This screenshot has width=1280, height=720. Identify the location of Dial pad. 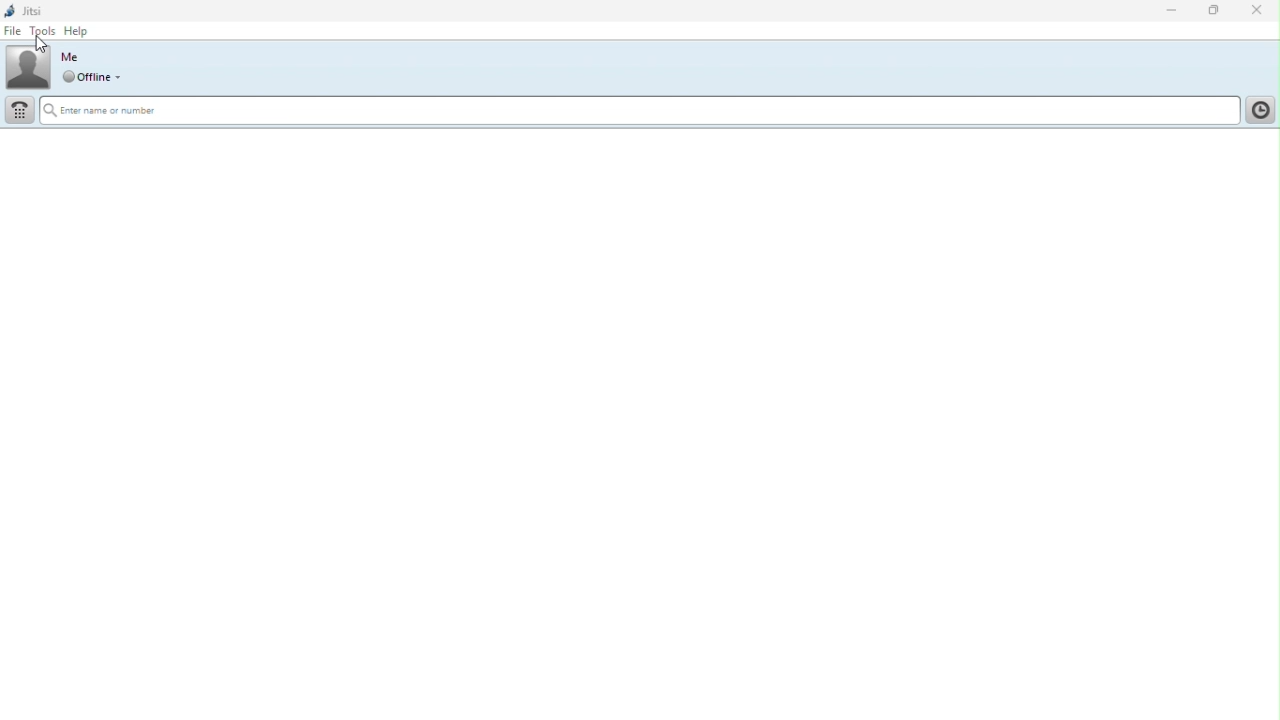
(18, 113).